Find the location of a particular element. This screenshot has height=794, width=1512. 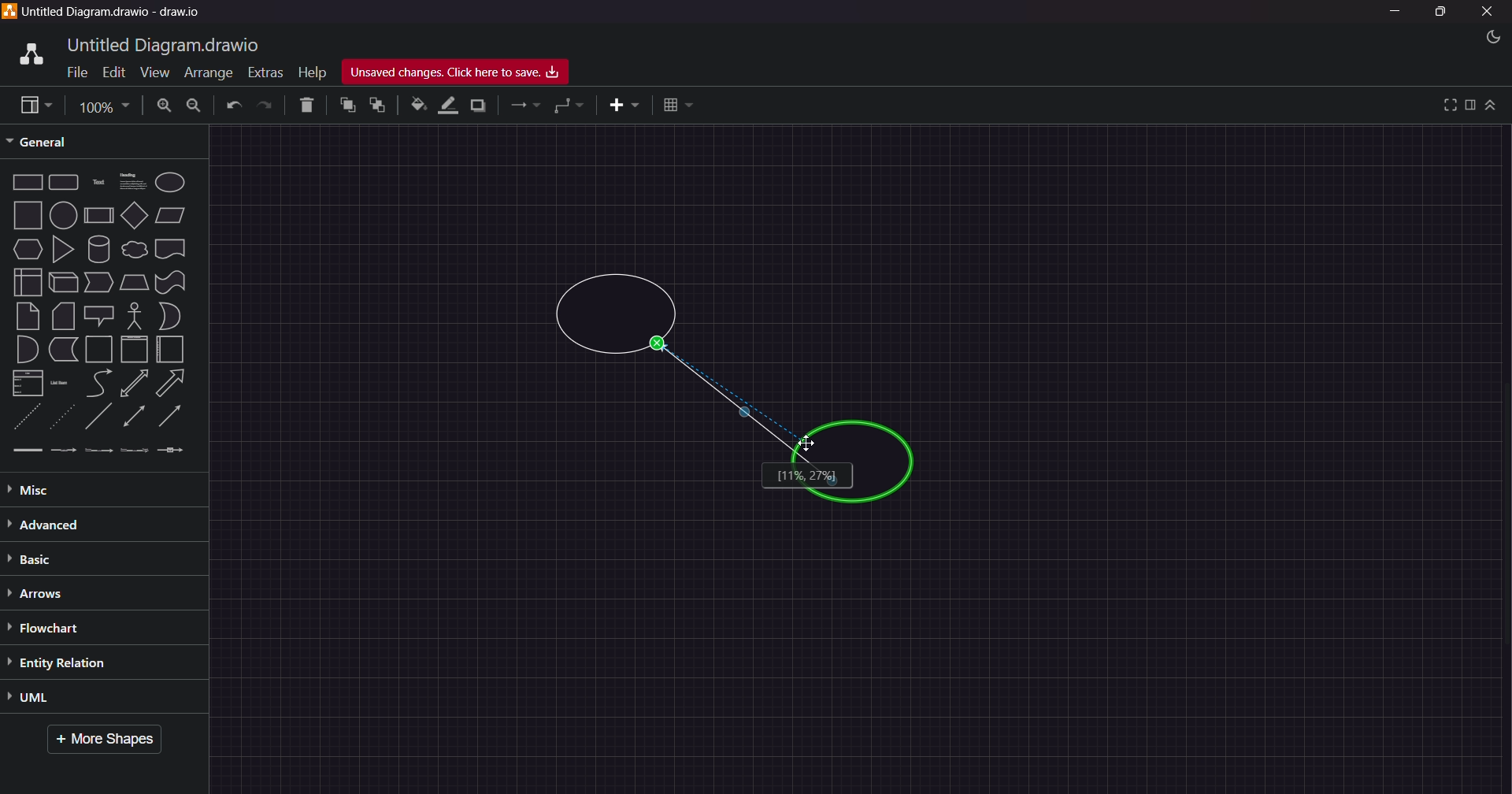

Zoom Out is located at coordinates (195, 107).